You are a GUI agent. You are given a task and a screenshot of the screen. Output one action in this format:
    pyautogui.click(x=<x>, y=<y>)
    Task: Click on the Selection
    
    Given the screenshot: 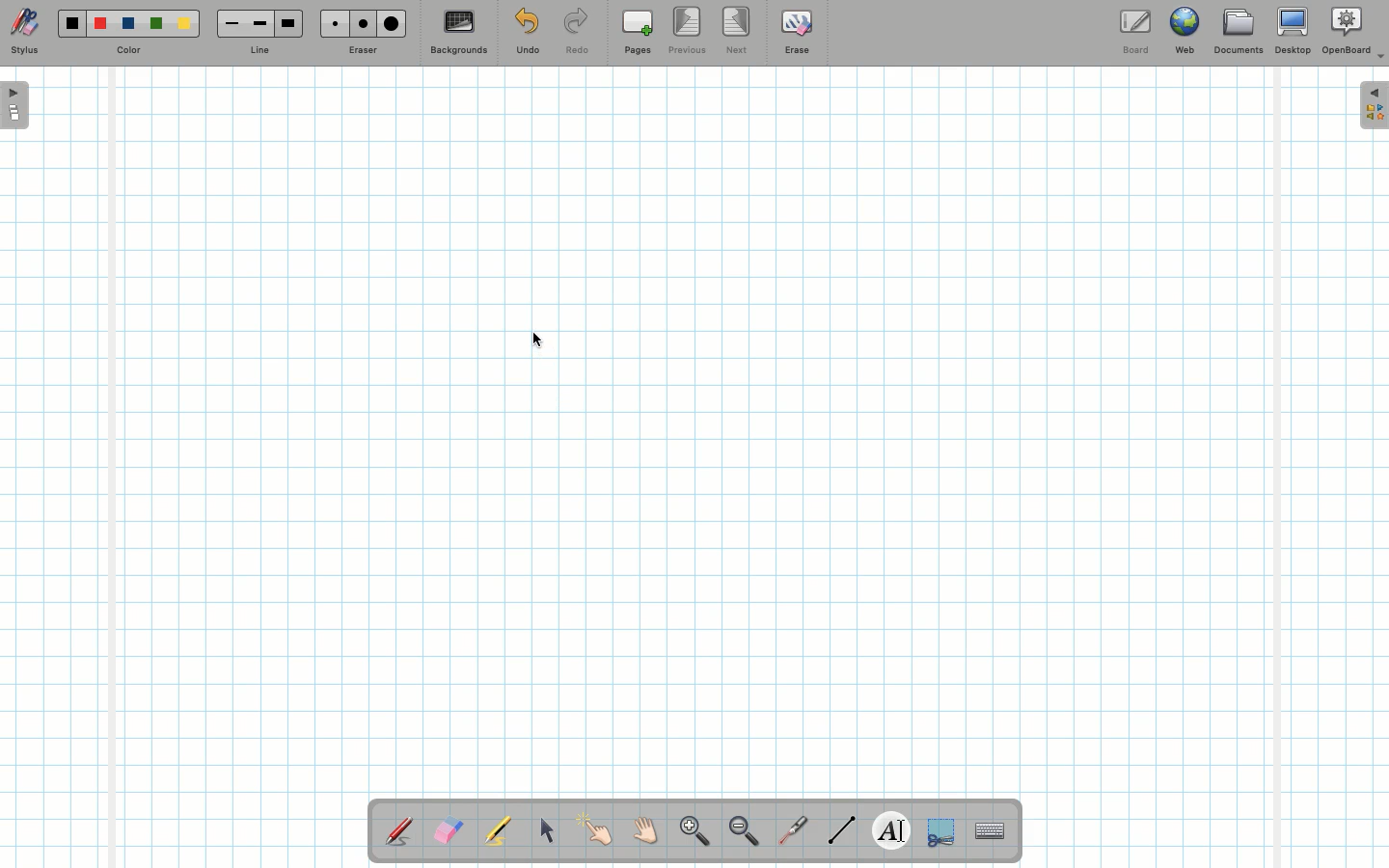 What is the action you would take?
    pyautogui.click(x=939, y=829)
    